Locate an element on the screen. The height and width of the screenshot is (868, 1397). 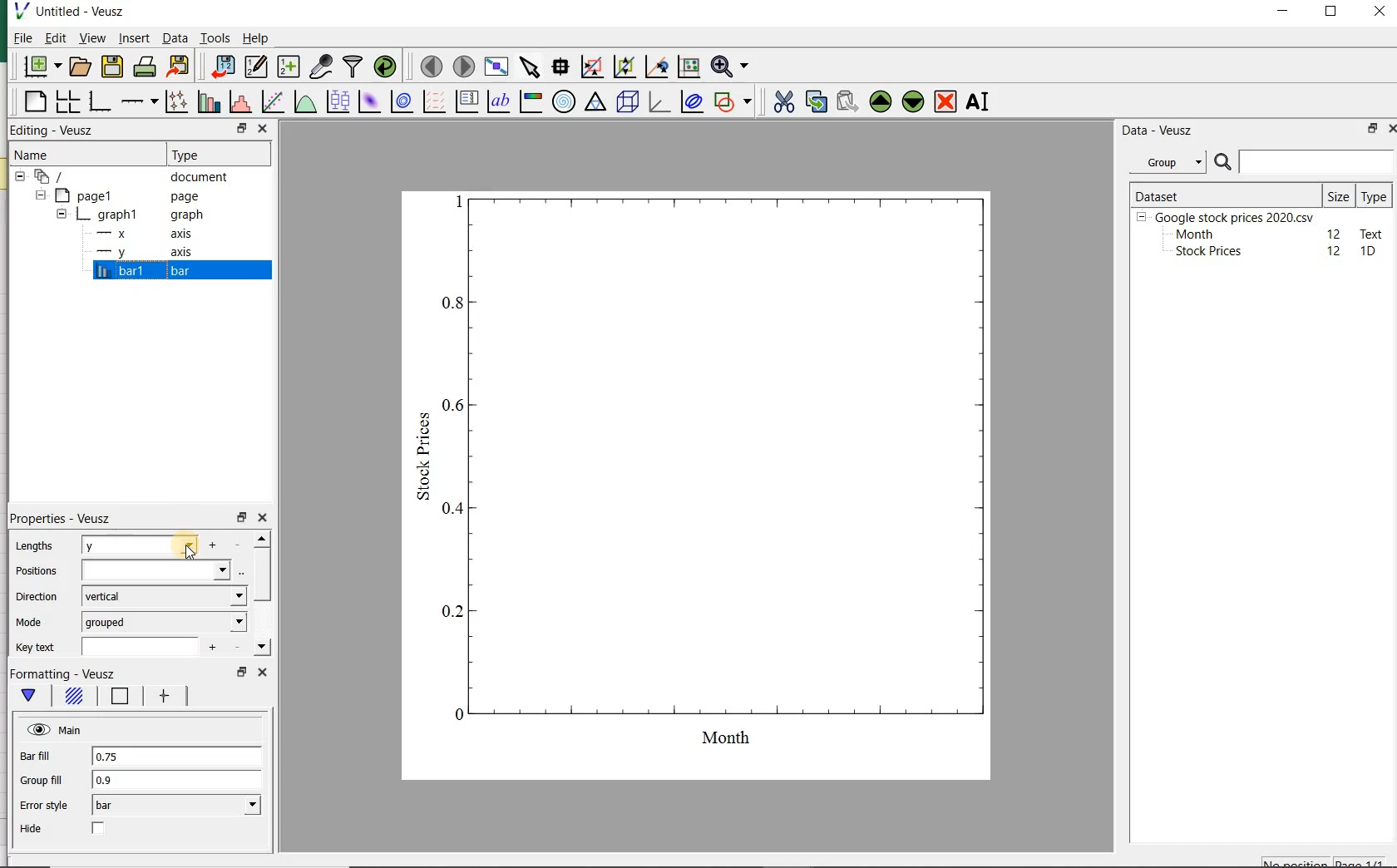
plot a vector field is located at coordinates (432, 103).